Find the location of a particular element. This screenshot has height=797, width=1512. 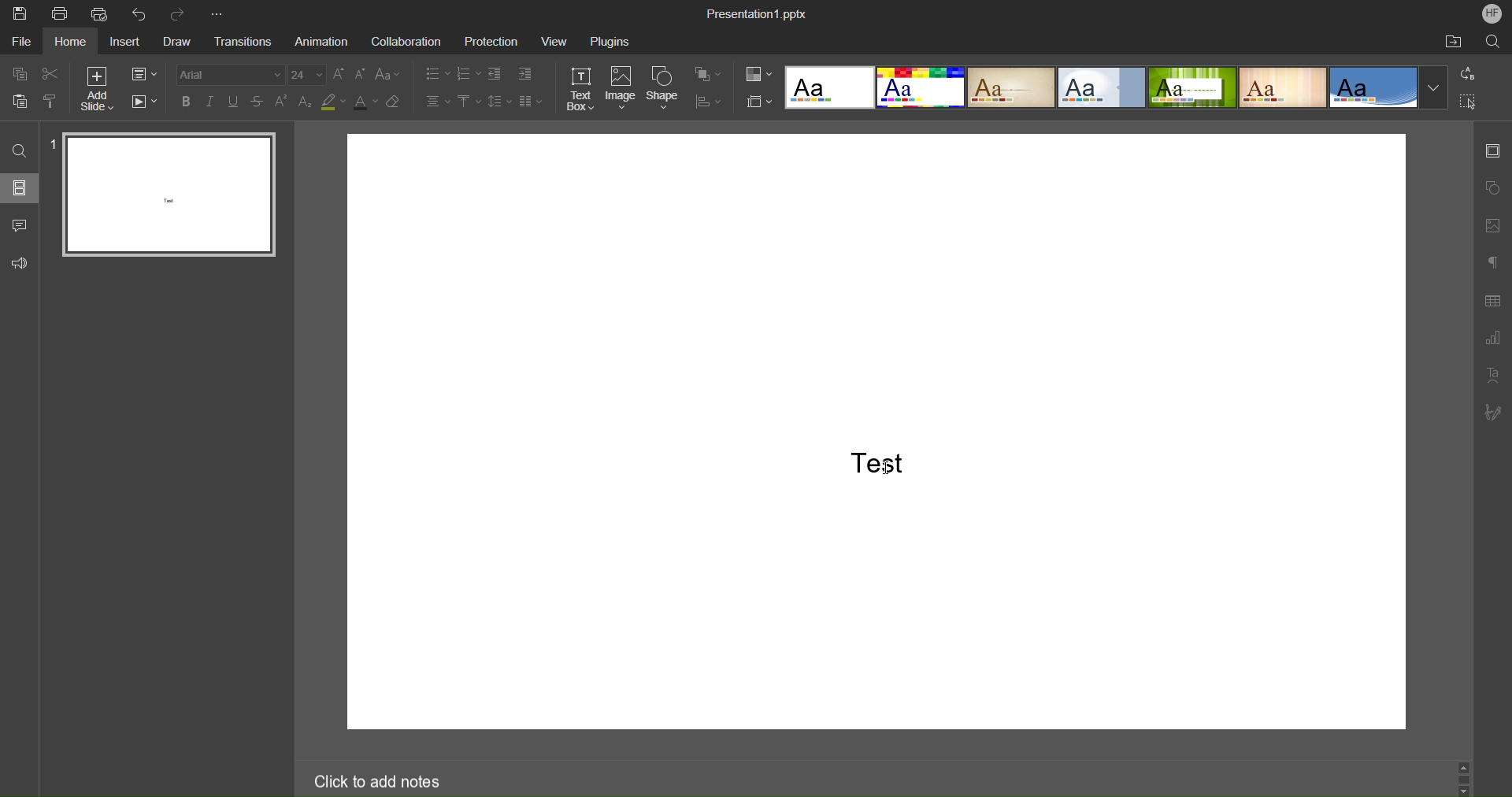

Table Settings is located at coordinates (1492, 302).